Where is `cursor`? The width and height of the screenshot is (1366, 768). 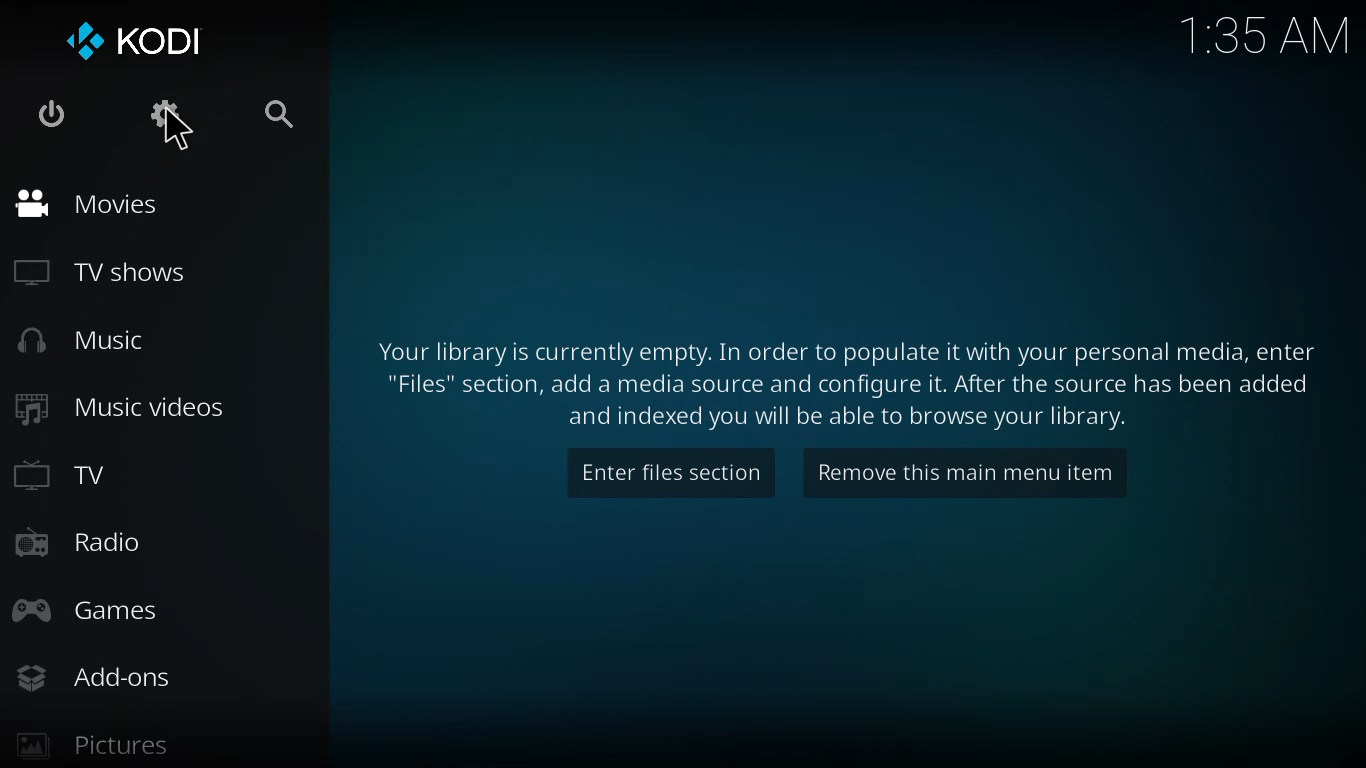 cursor is located at coordinates (177, 130).